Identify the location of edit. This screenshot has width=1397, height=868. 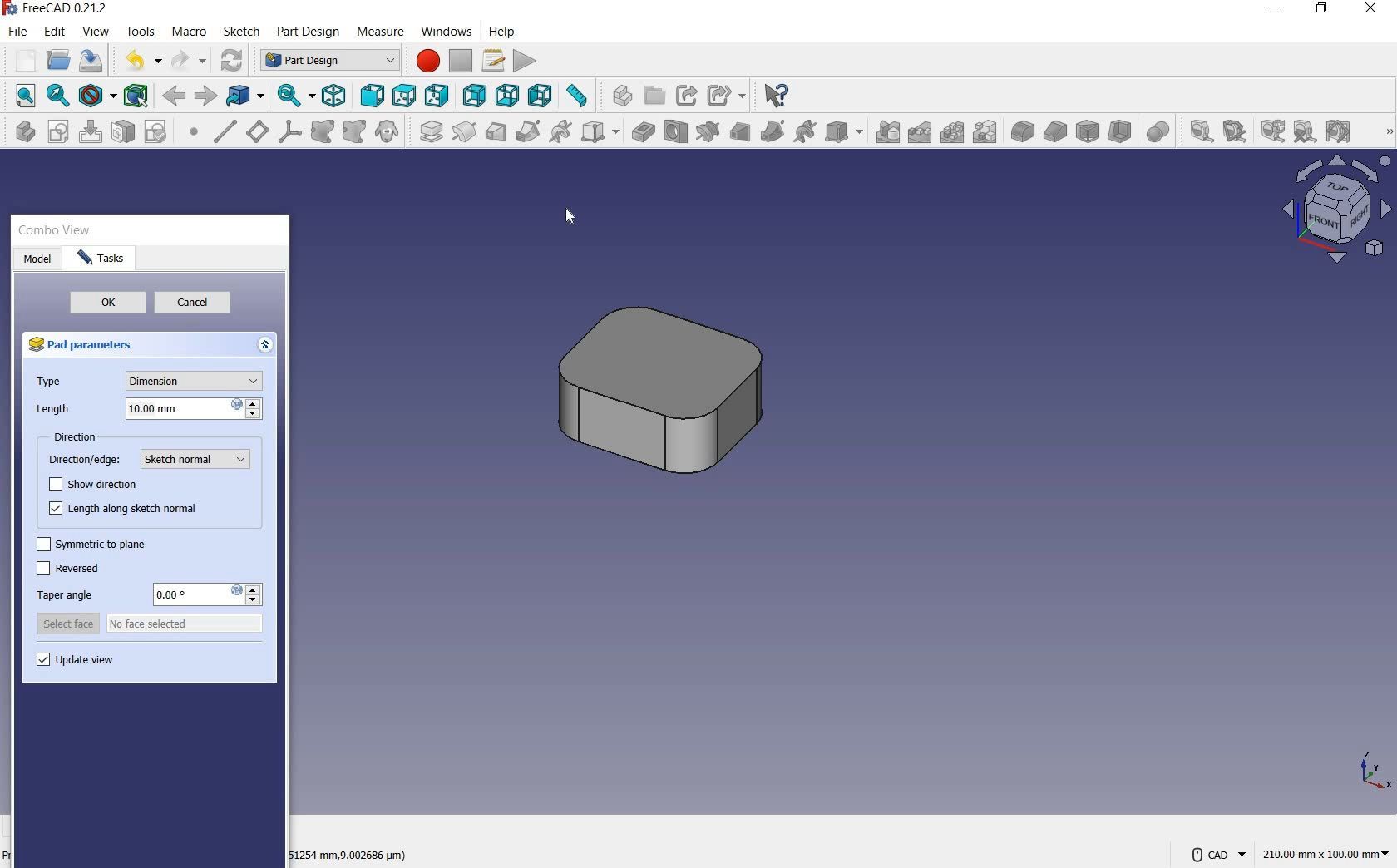
(56, 33).